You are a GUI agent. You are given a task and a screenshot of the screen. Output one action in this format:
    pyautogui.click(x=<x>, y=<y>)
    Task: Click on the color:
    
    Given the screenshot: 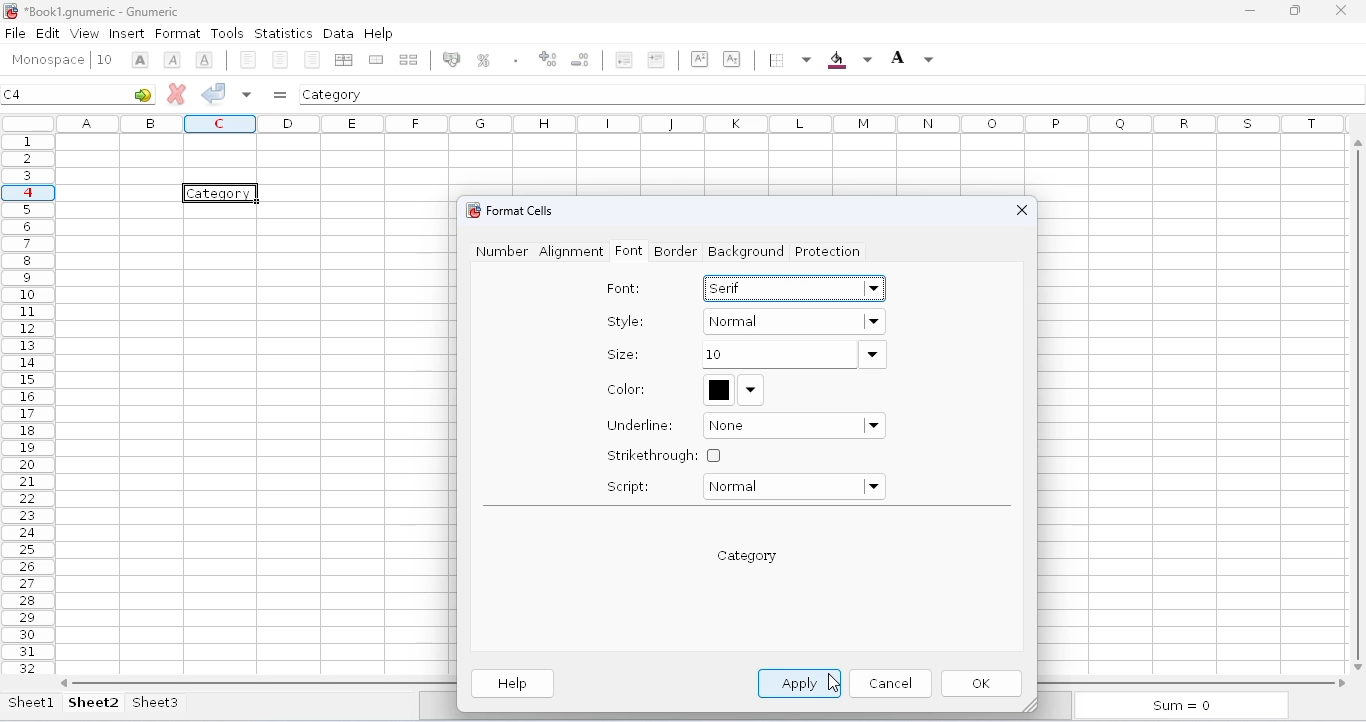 What is the action you would take?
    pyautogui.click(x=627, y=389)
    